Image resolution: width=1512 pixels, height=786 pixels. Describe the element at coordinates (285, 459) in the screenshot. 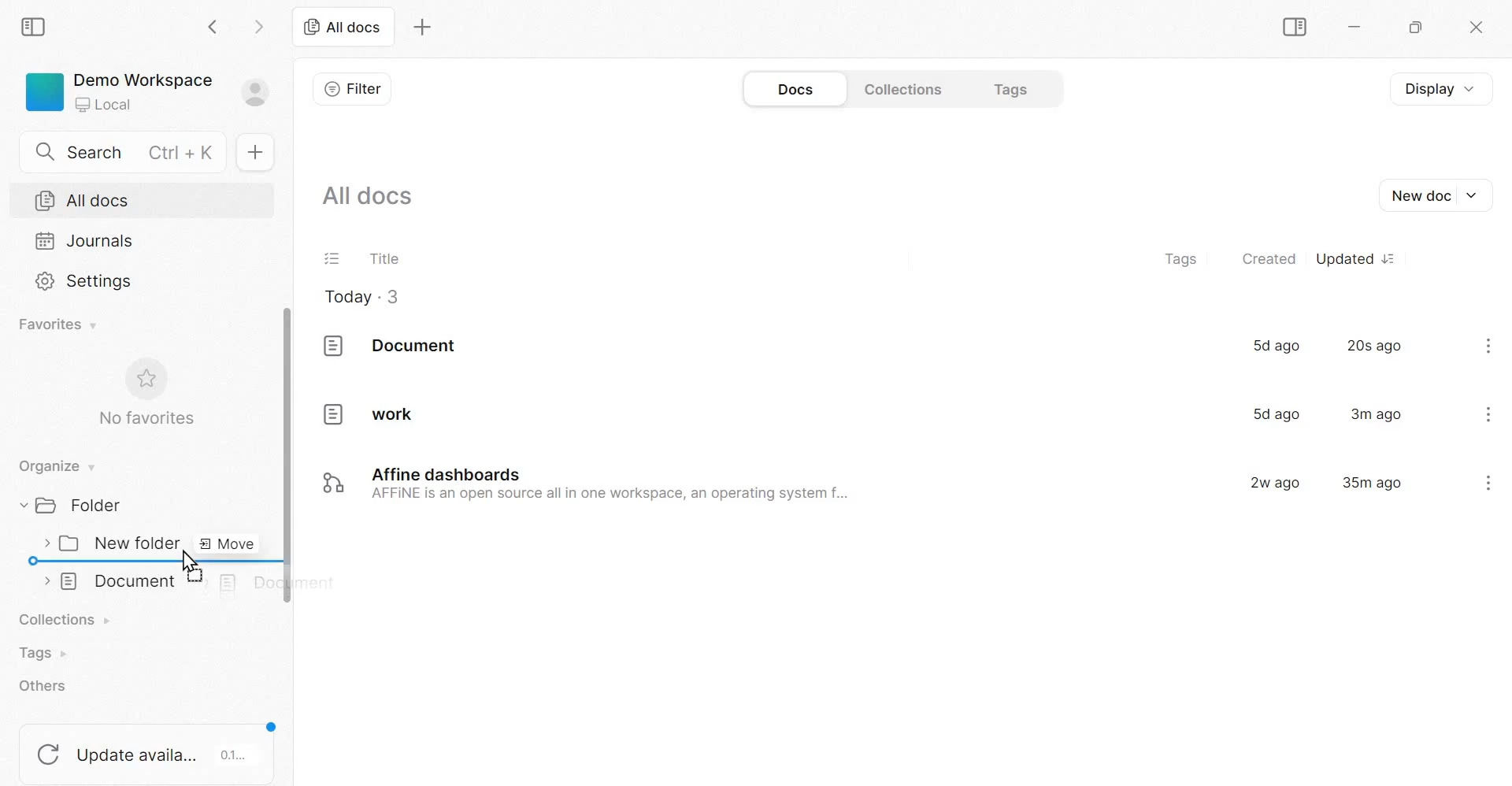

I see `scrollbar` at that location.